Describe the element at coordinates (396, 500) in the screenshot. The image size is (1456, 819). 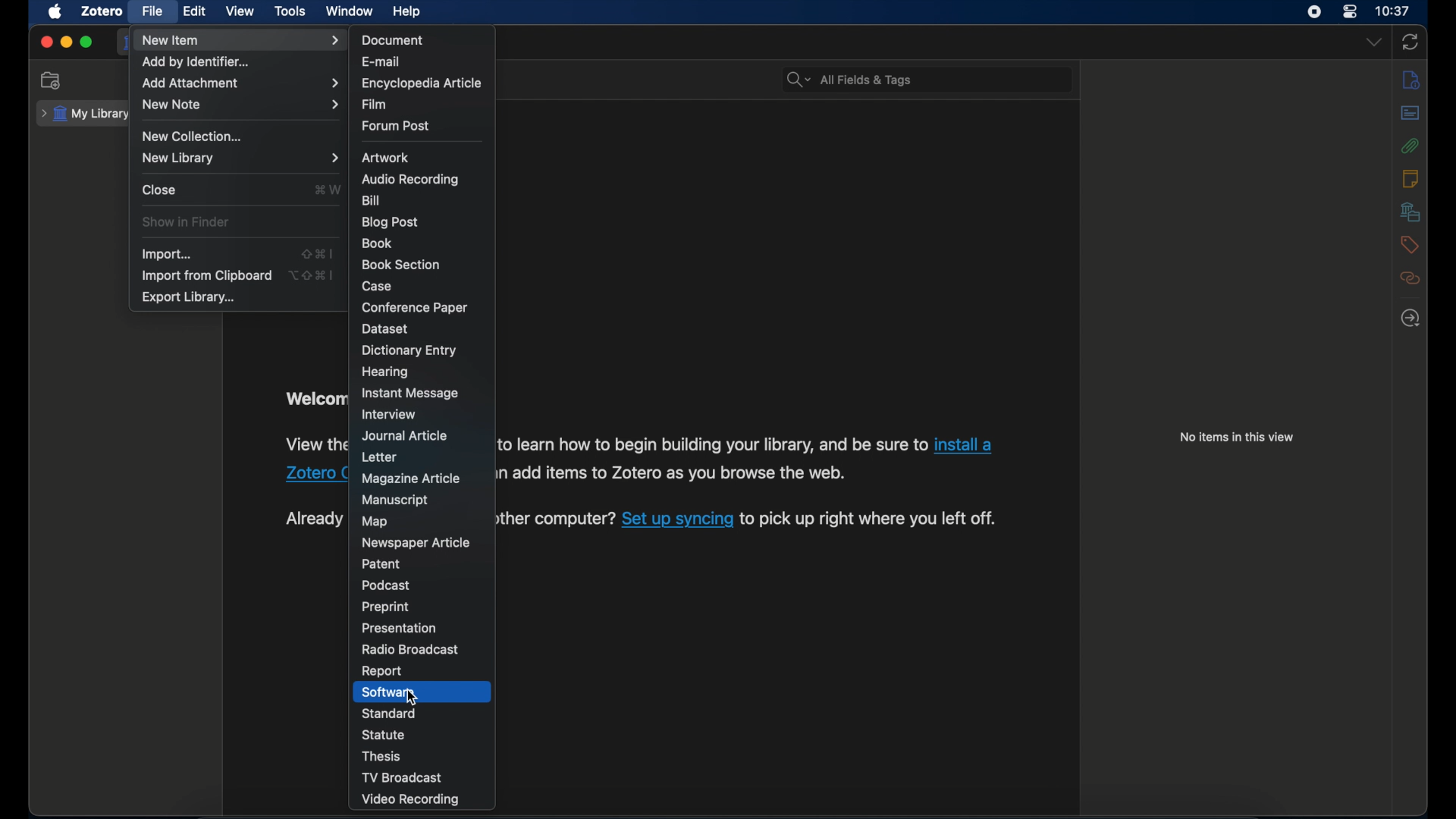
I see `manuscript` at that location.